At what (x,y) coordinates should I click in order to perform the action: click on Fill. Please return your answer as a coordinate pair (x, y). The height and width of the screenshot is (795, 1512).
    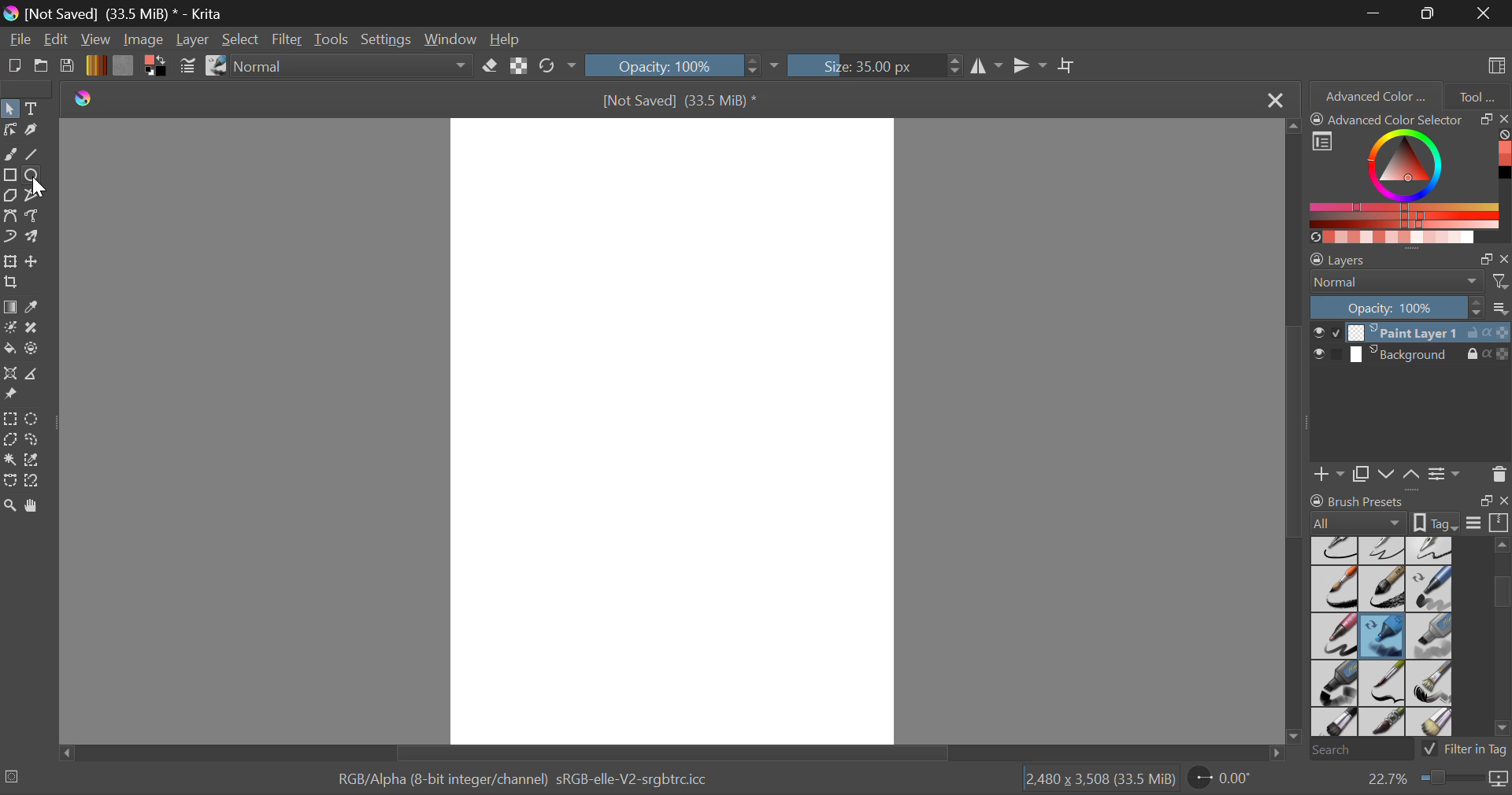
    Looking at the image, I should click on (9, 346).